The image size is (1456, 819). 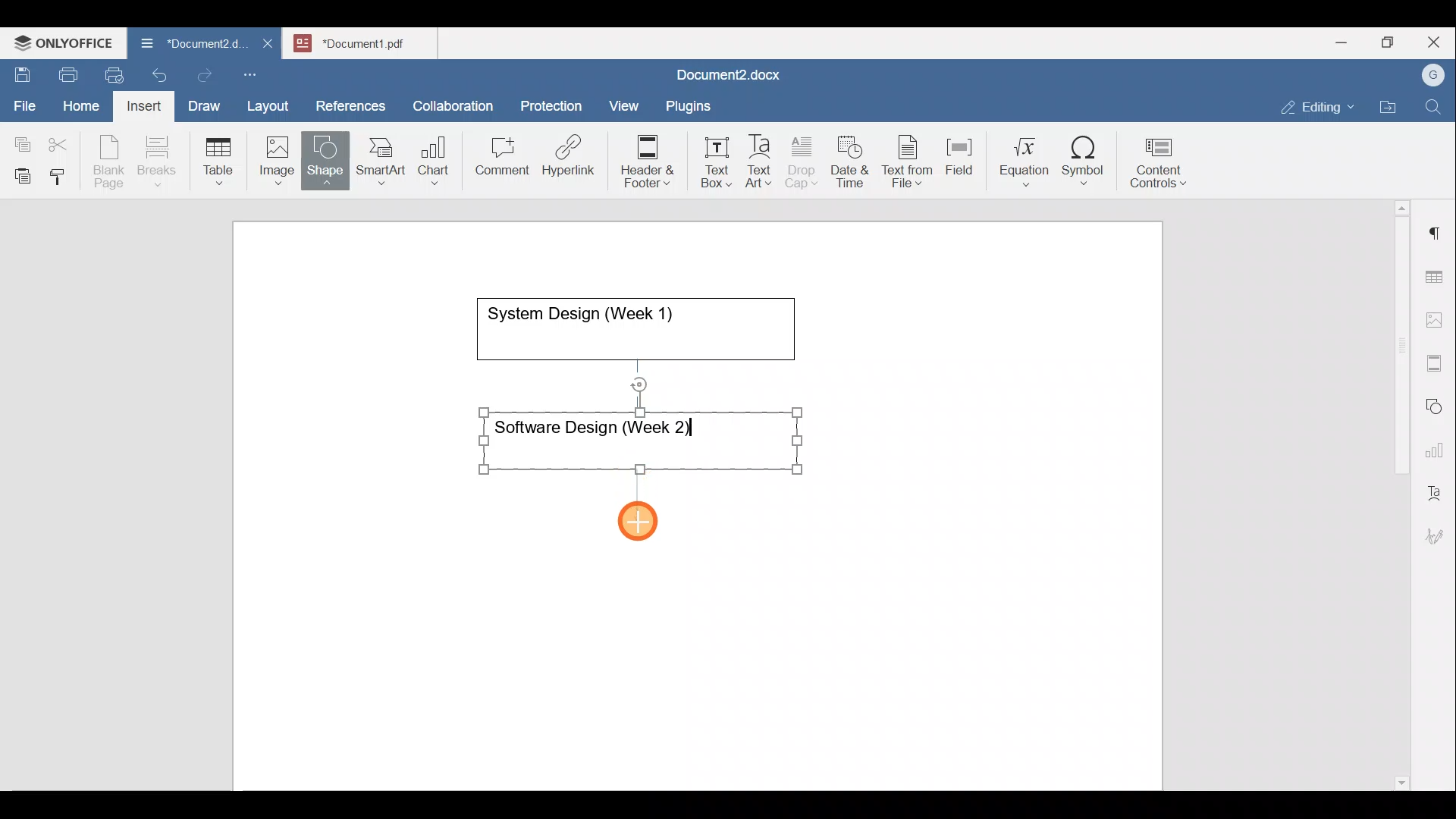 What do you see at coordinates (760, 162) in the screenshot?
I see `Text Art` at bounding box center [760, 162].